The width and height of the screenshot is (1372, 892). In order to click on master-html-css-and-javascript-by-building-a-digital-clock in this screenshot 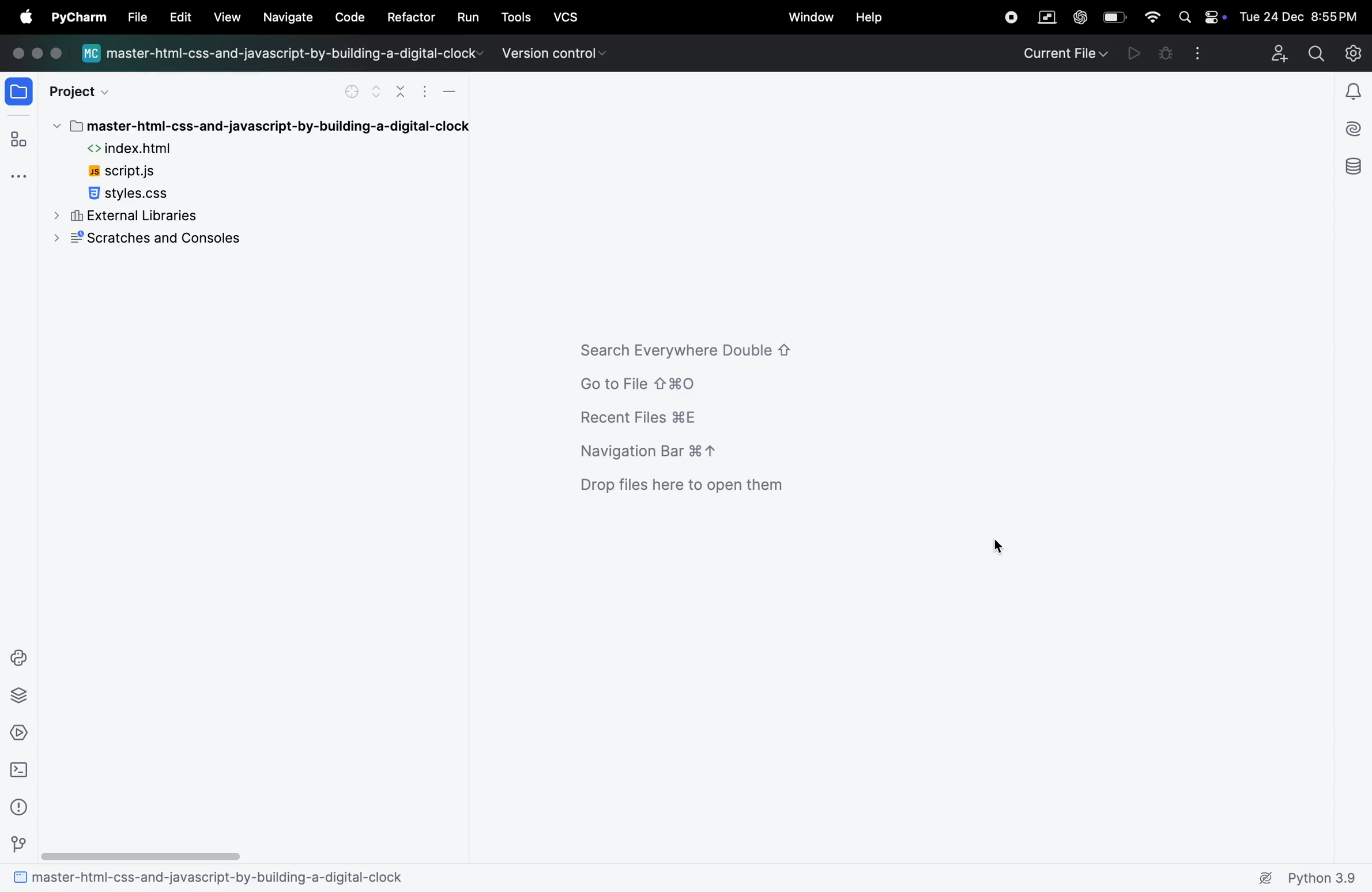, I will do `click(284, 55)`.